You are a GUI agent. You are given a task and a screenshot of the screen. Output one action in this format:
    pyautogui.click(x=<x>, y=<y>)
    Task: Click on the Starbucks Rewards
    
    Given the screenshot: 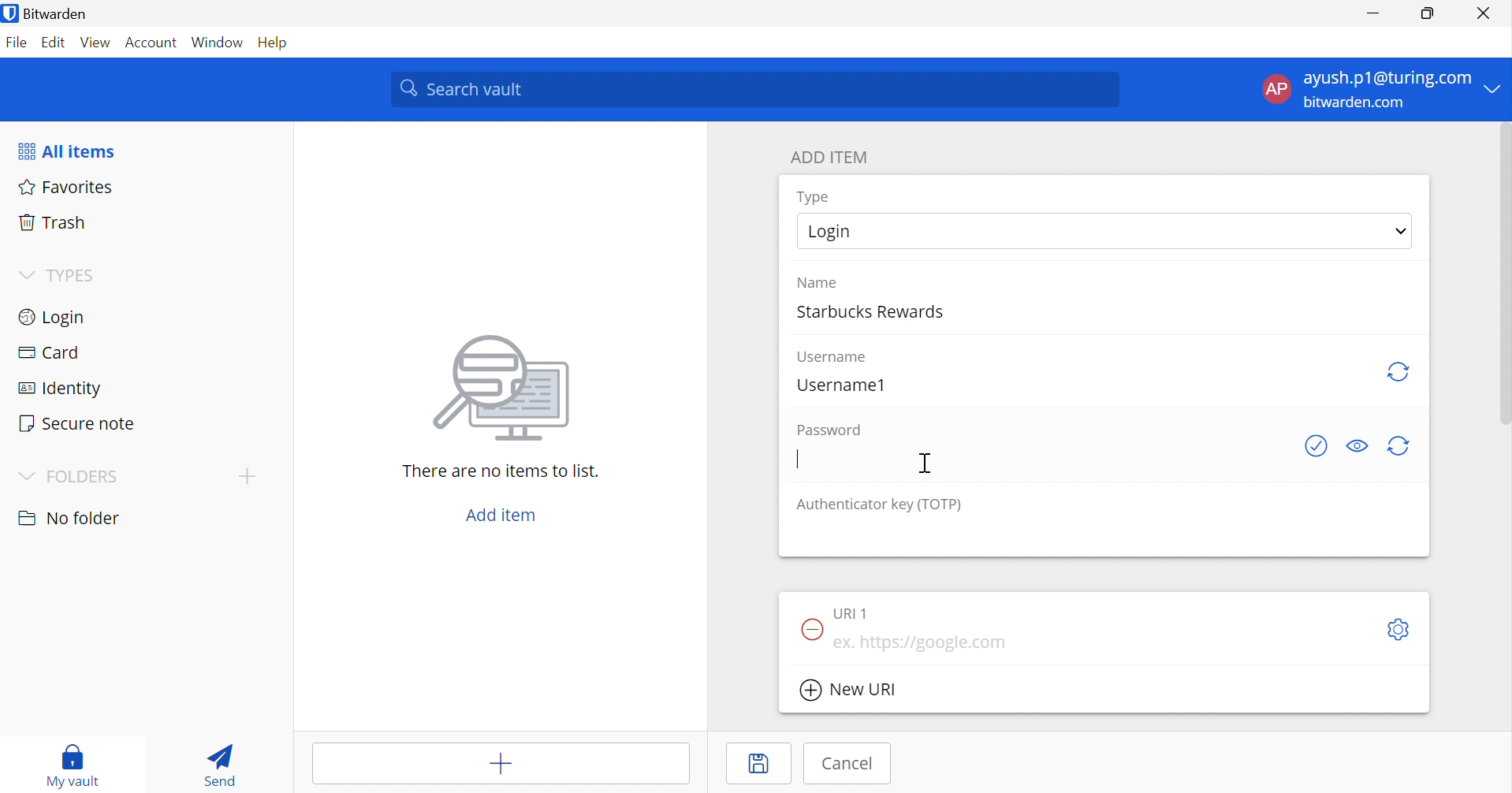 What is the action you would take?
    pyautogui.click(x=876, y=309)
    